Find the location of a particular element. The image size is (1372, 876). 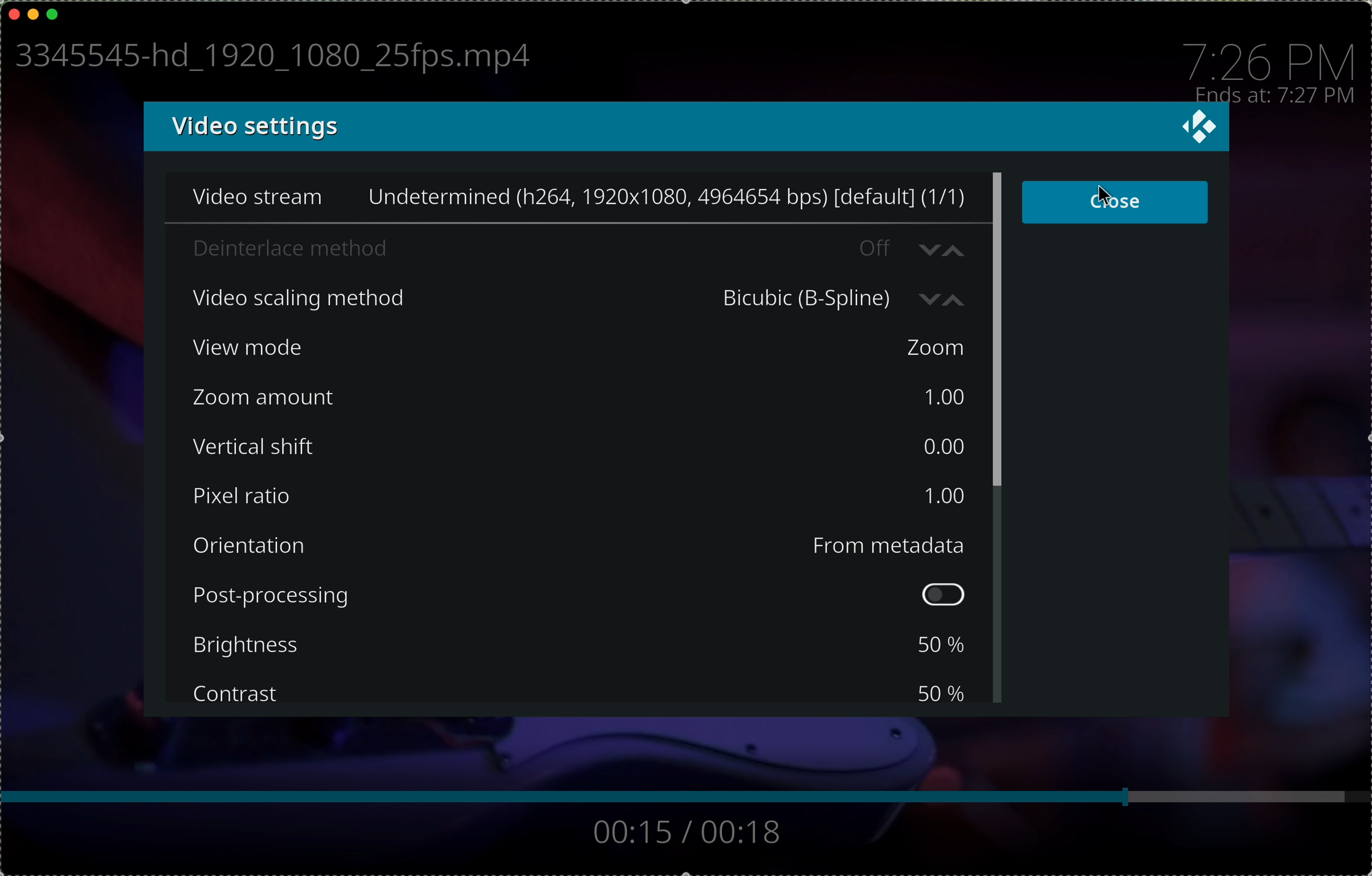

Post-processing is located at coordinates (283, 596).